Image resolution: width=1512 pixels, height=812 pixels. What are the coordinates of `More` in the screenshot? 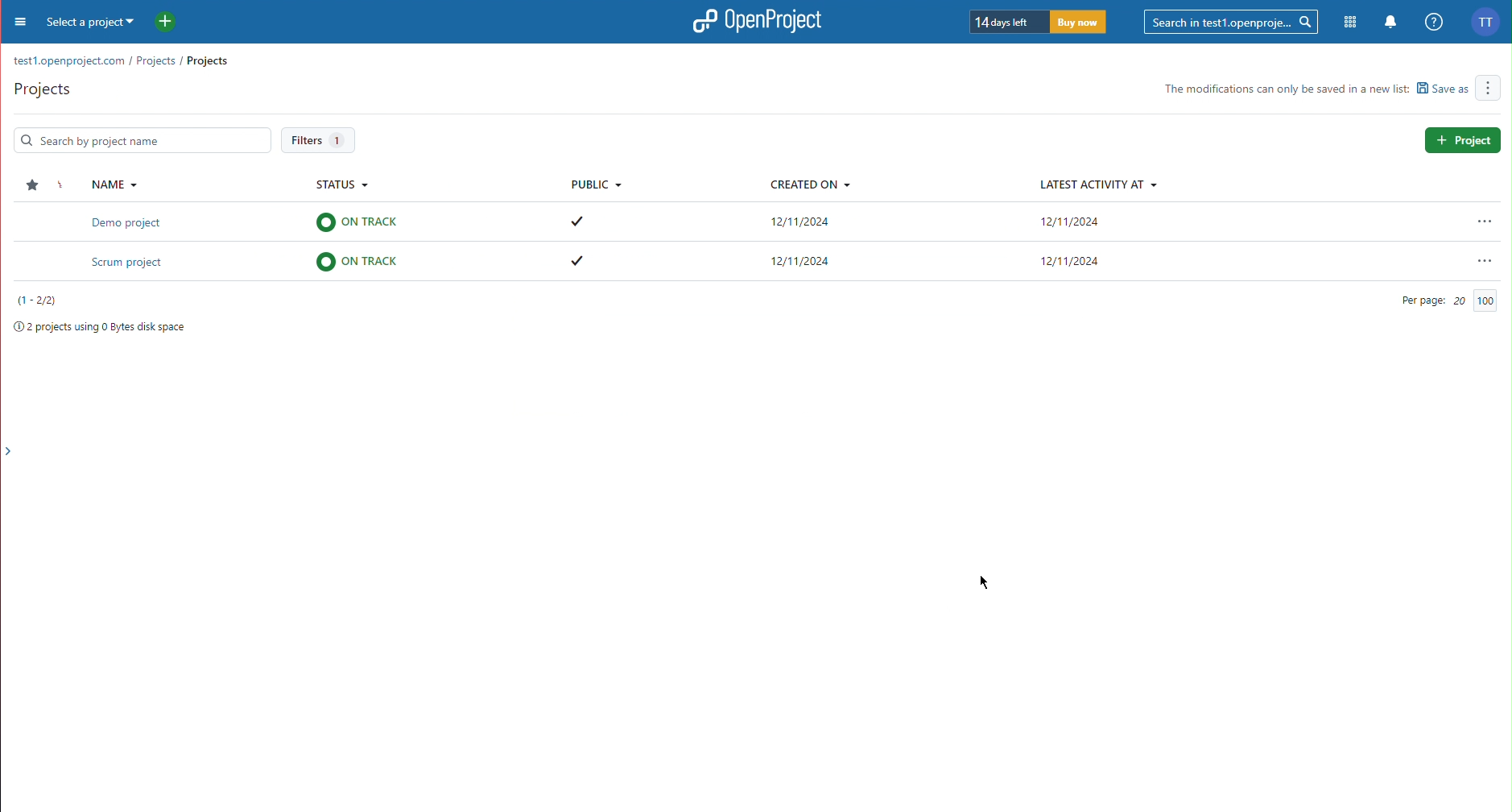 It's located at (1489, 88).